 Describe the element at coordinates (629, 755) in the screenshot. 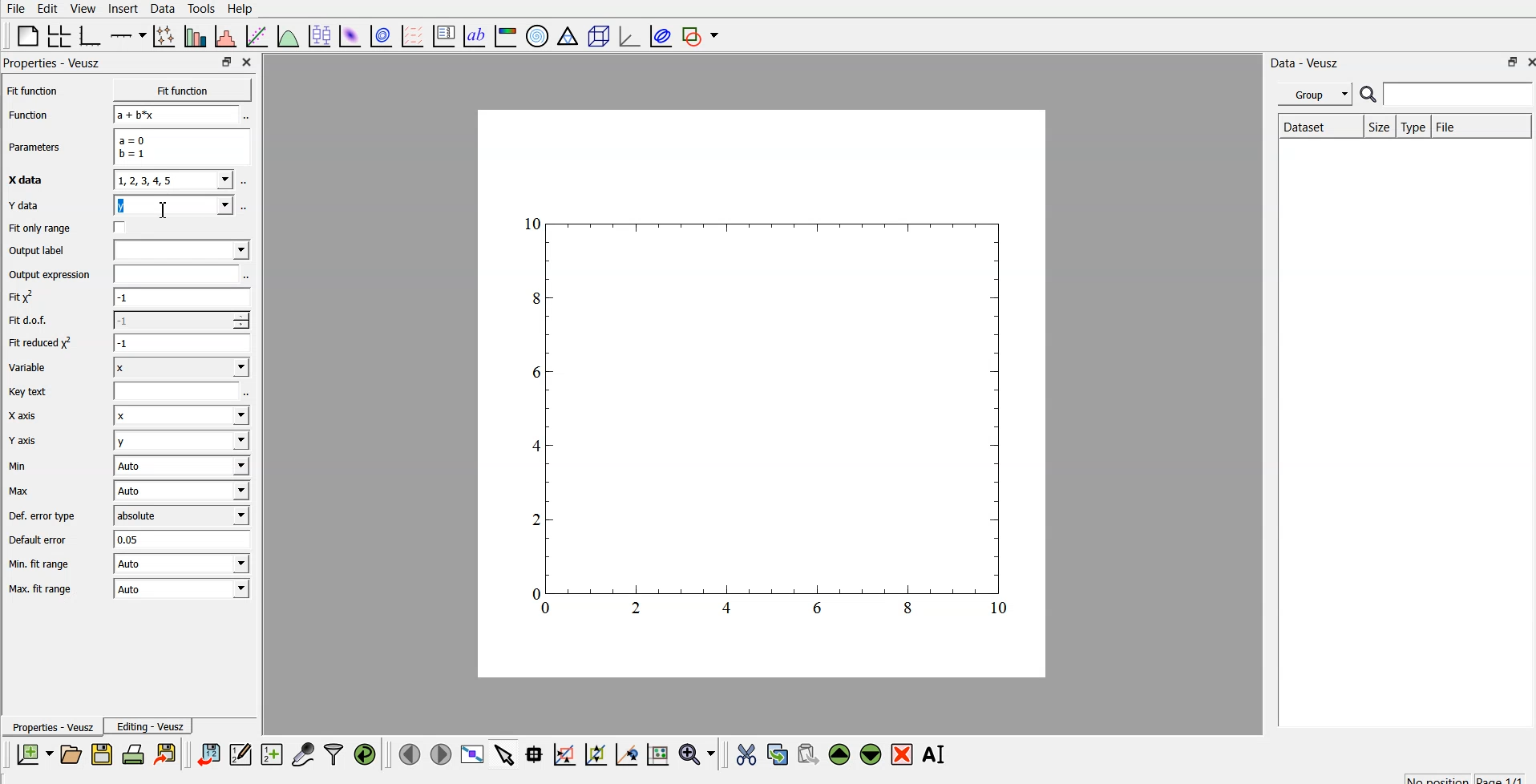

I see `click to recenter graph axes` at that location.